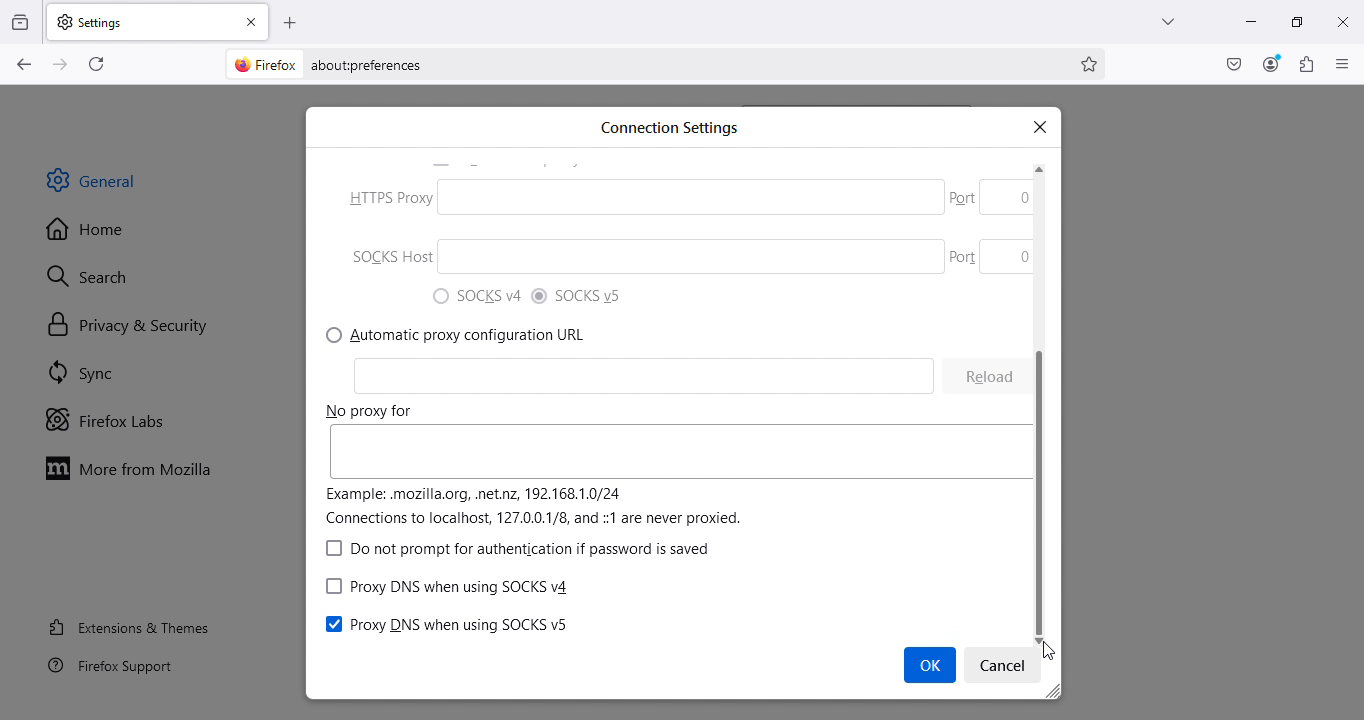 The image size is (1364, 720). Describe the element at coordinates (1355, 88) in the screenshot. I see `move up` at that location.